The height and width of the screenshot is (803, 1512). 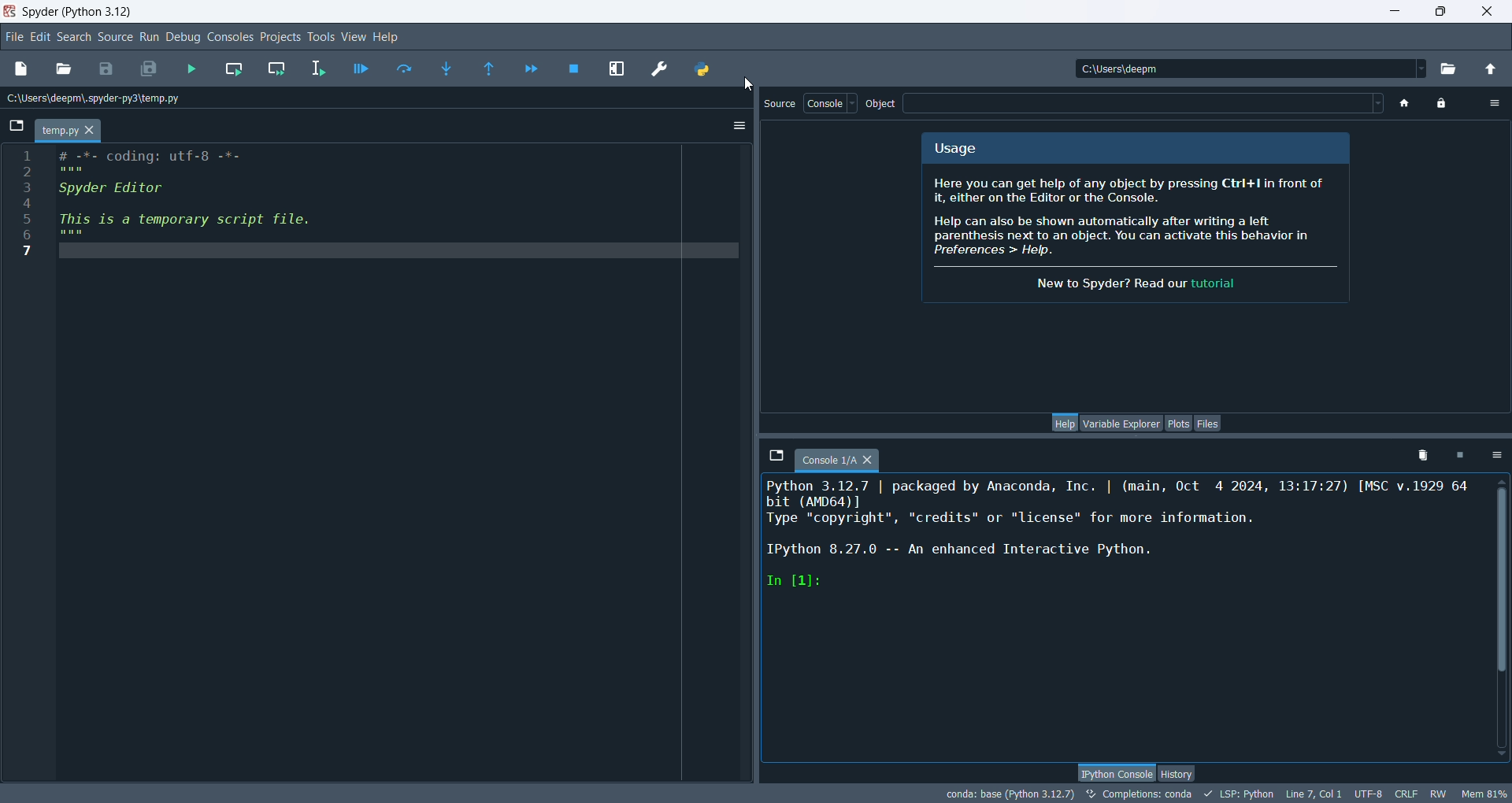 I want to click on minimize, so click(x=1392, y=12).